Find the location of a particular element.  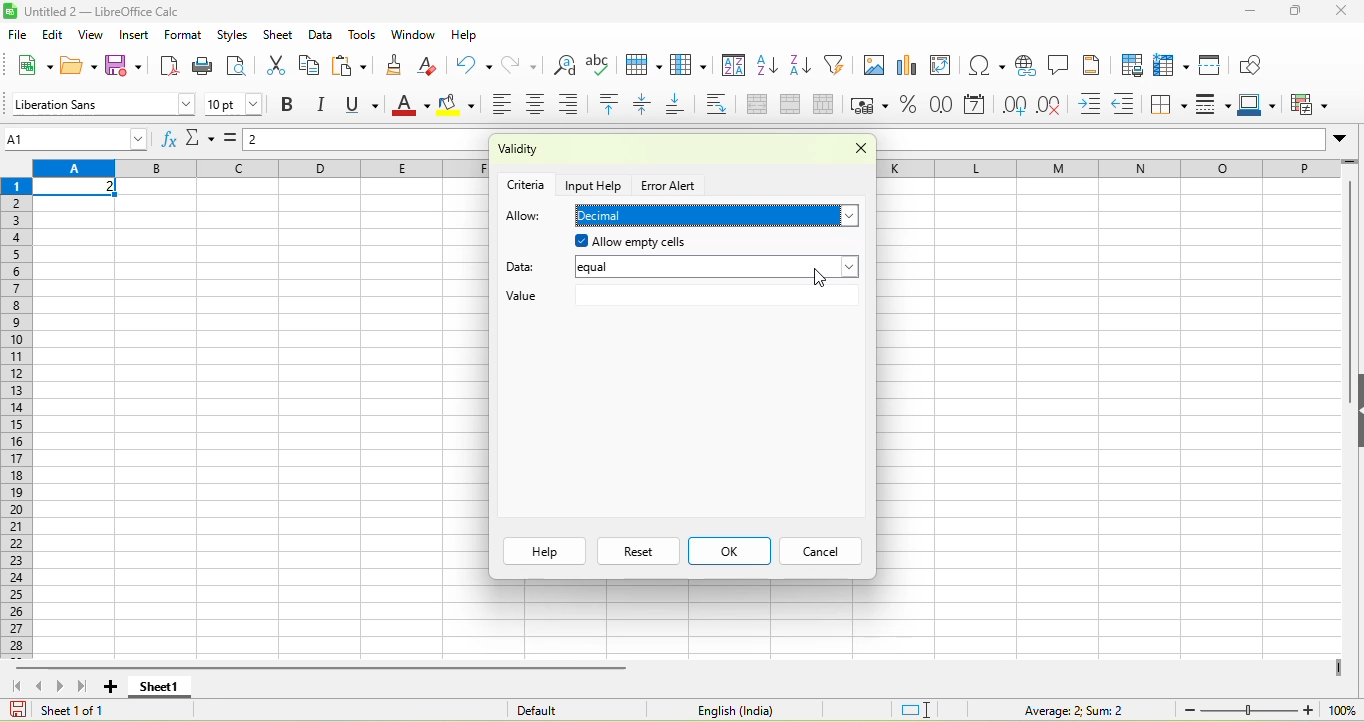

rows and column is located at coordinates (1173, 65).